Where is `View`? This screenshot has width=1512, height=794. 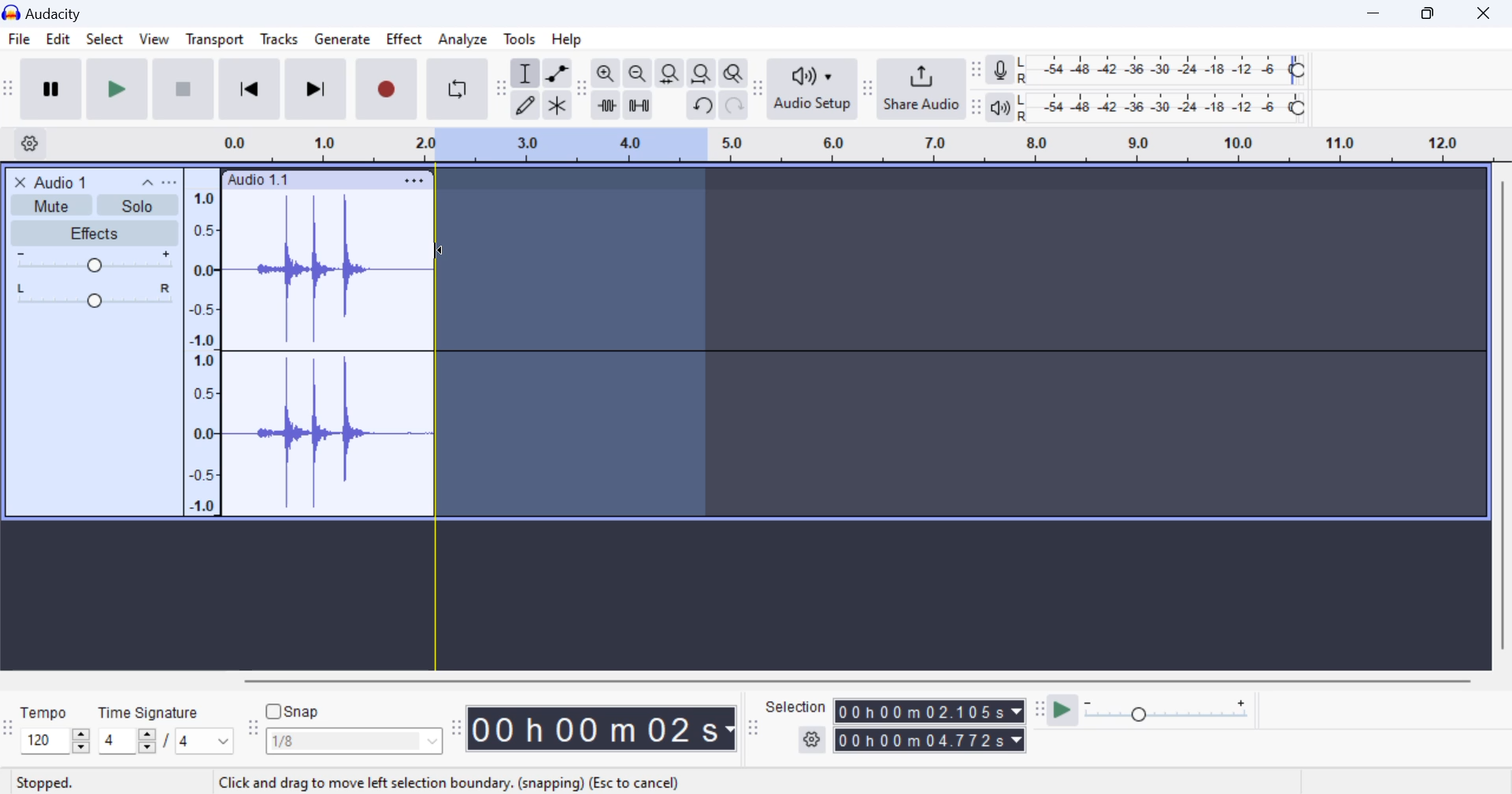
View is located at coordinates (153, 43).